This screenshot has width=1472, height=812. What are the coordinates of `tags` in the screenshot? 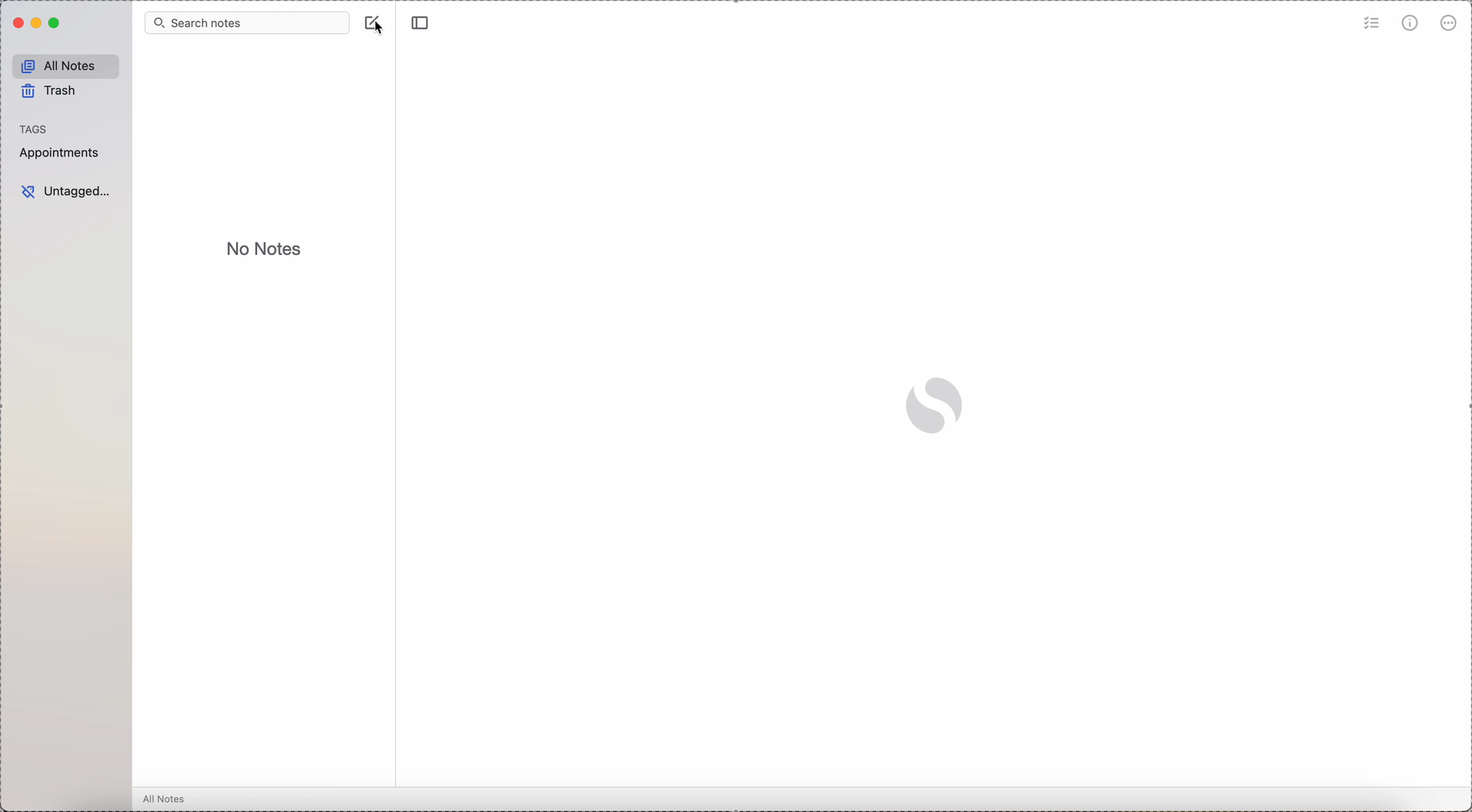 It's located at (35, 127).